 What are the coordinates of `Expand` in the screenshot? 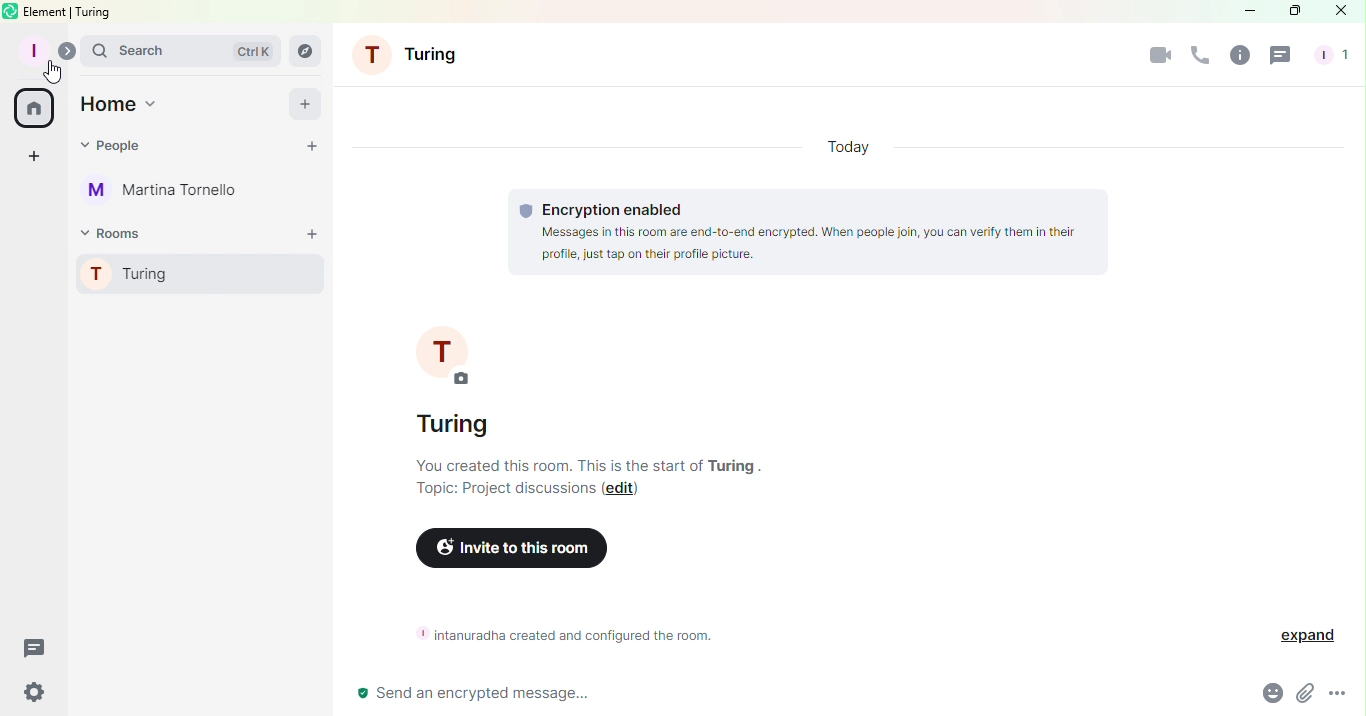 It's located at (66, 50).